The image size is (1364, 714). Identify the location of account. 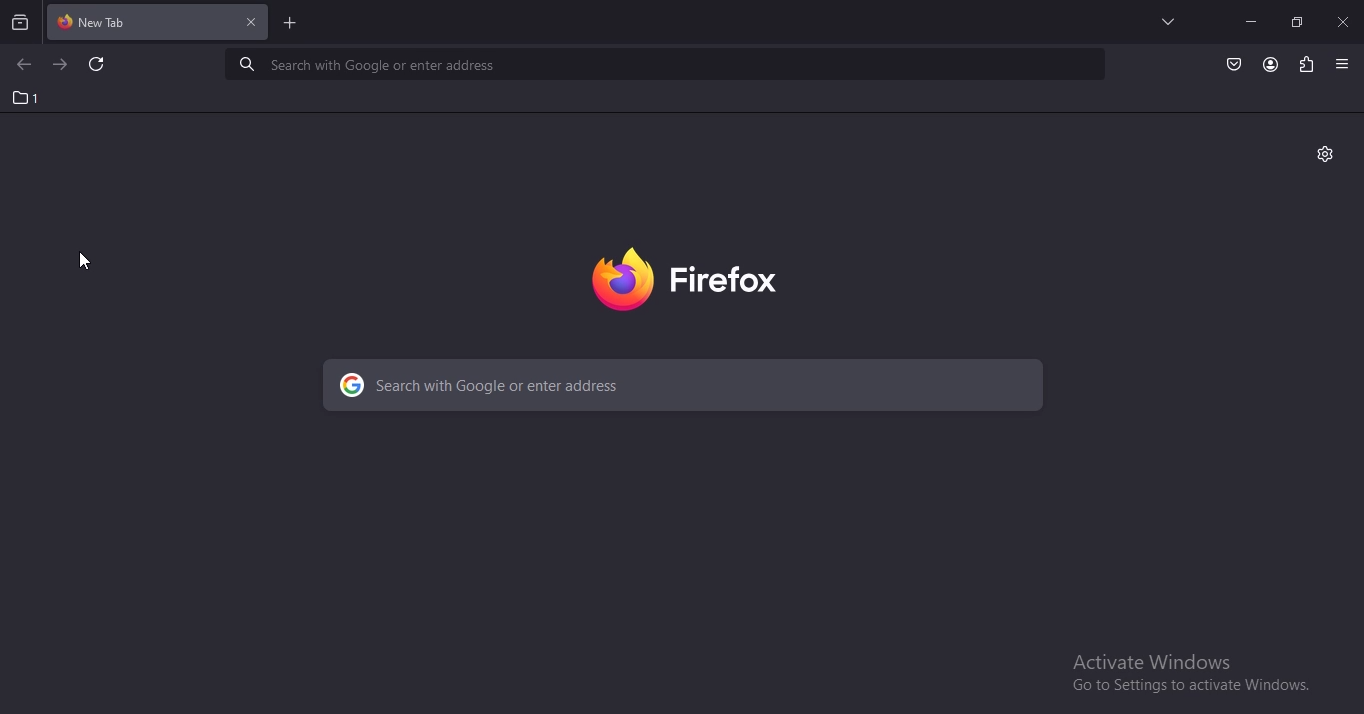
(1271, 64).